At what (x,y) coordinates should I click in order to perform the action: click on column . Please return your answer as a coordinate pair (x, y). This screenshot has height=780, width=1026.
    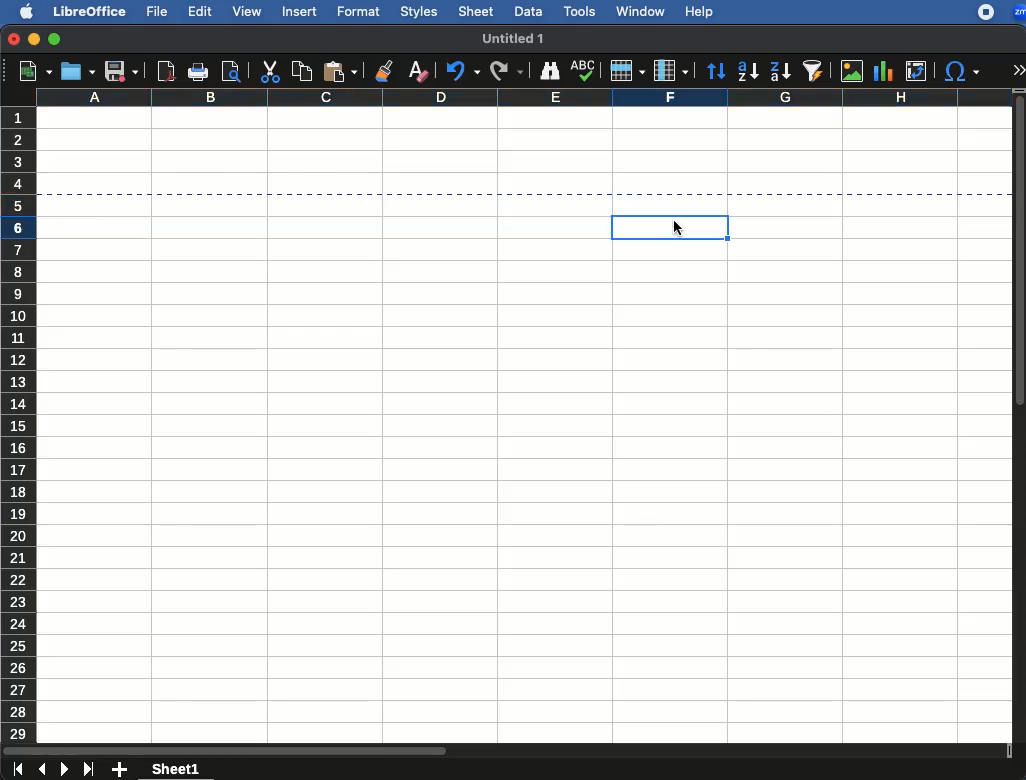
    Looking at the image, I should click on (669, 70).